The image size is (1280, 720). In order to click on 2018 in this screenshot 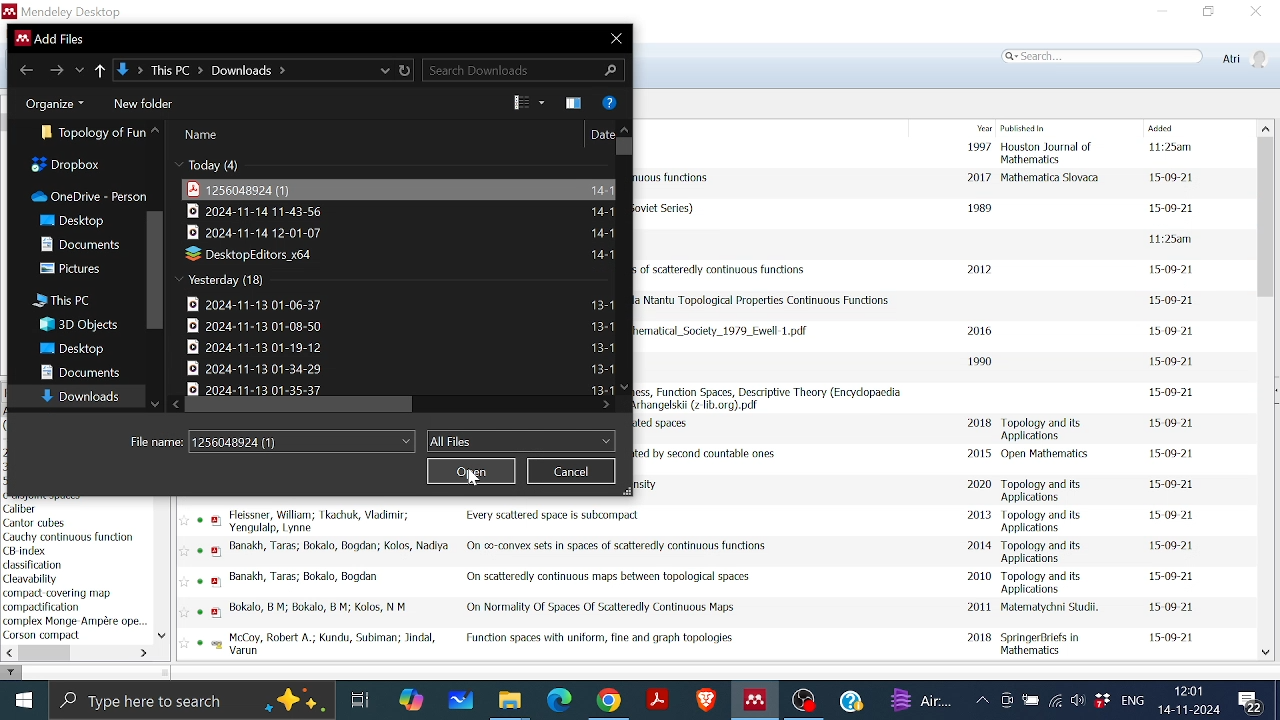, I will do `click(979, 639)`.